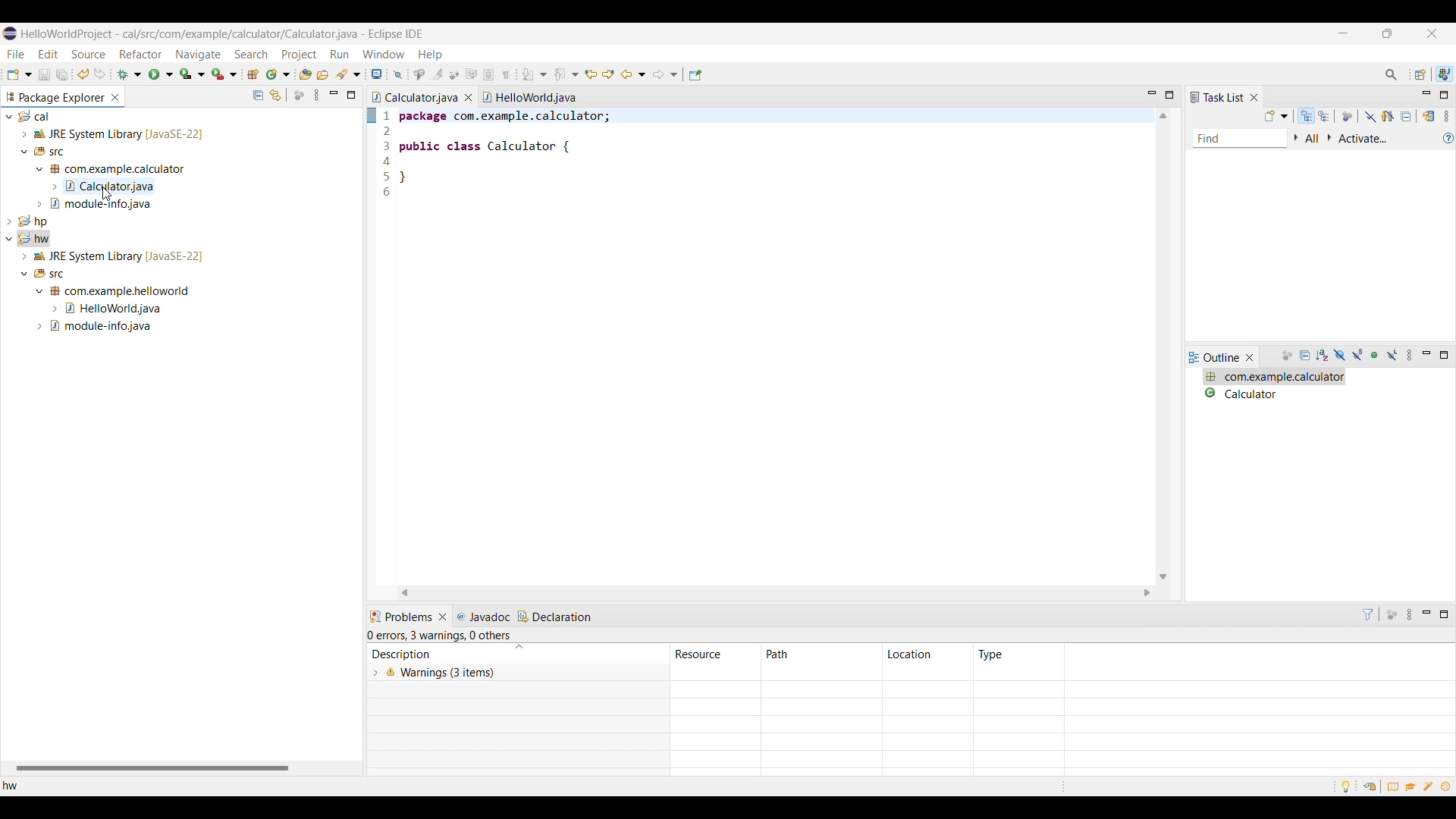  What do you see at coordinates (472, 74) in the screenshot?
I see `Toggle word wrap` at bounding box center [472, 74].